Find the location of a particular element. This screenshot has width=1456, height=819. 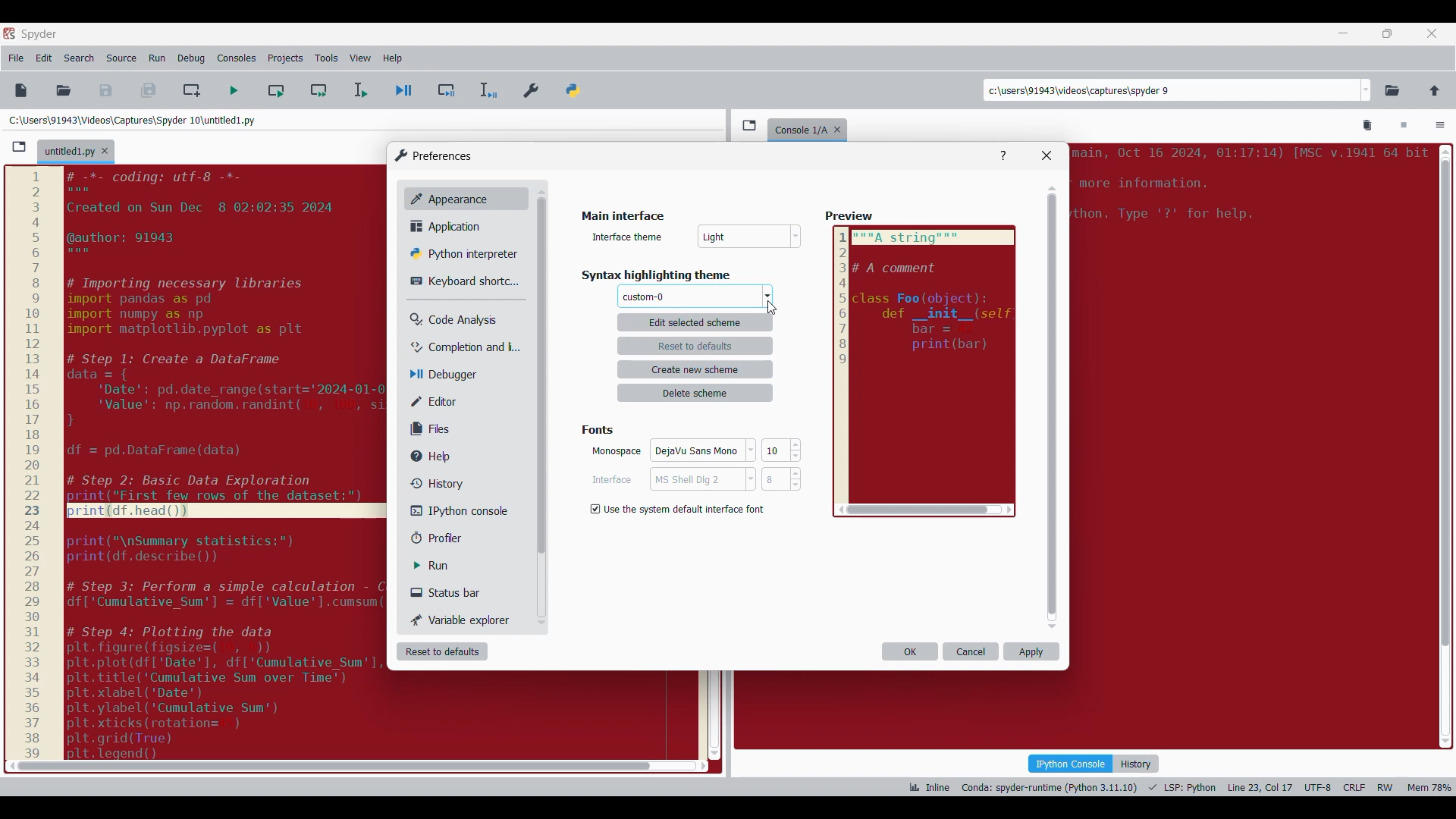

Reset to defaults is located at coordinates (442, 651).